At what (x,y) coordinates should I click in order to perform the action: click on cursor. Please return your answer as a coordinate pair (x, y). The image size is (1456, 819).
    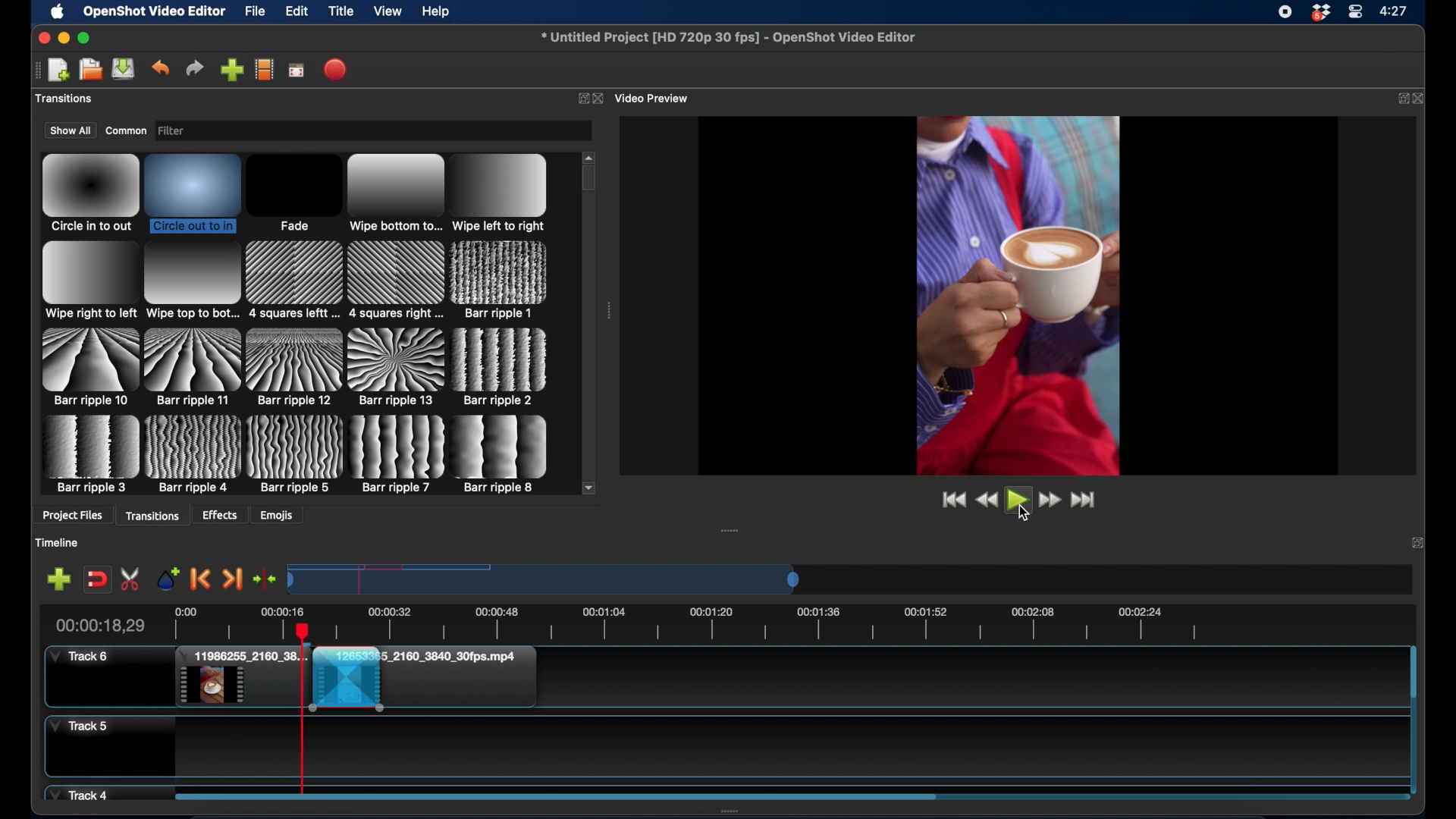
    Looking at the image, I should click on (1021, 516).